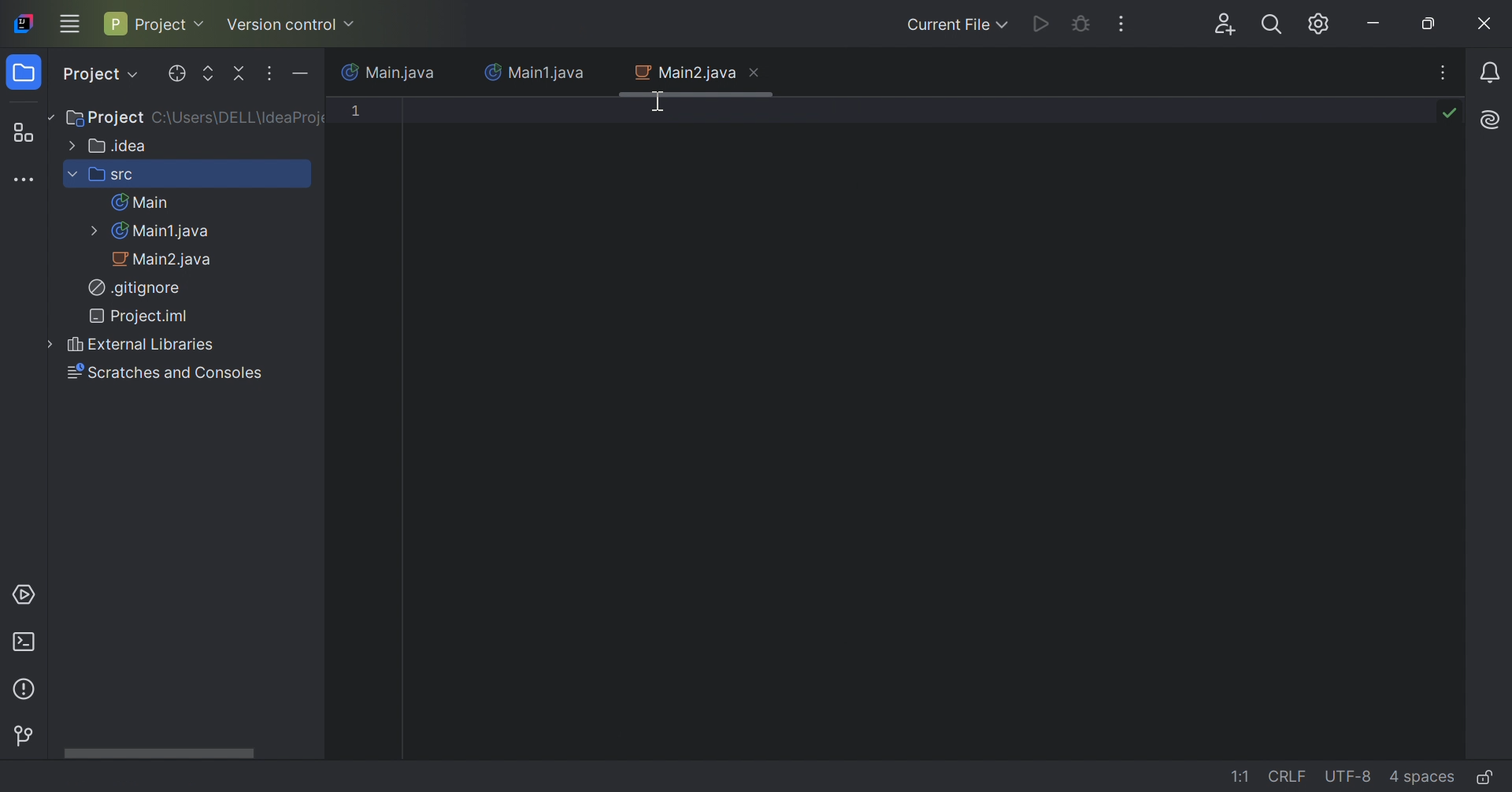 Image resolution: width=1512 pixels, height=792 pixels. I want to click on Close, so click(1486, 24).